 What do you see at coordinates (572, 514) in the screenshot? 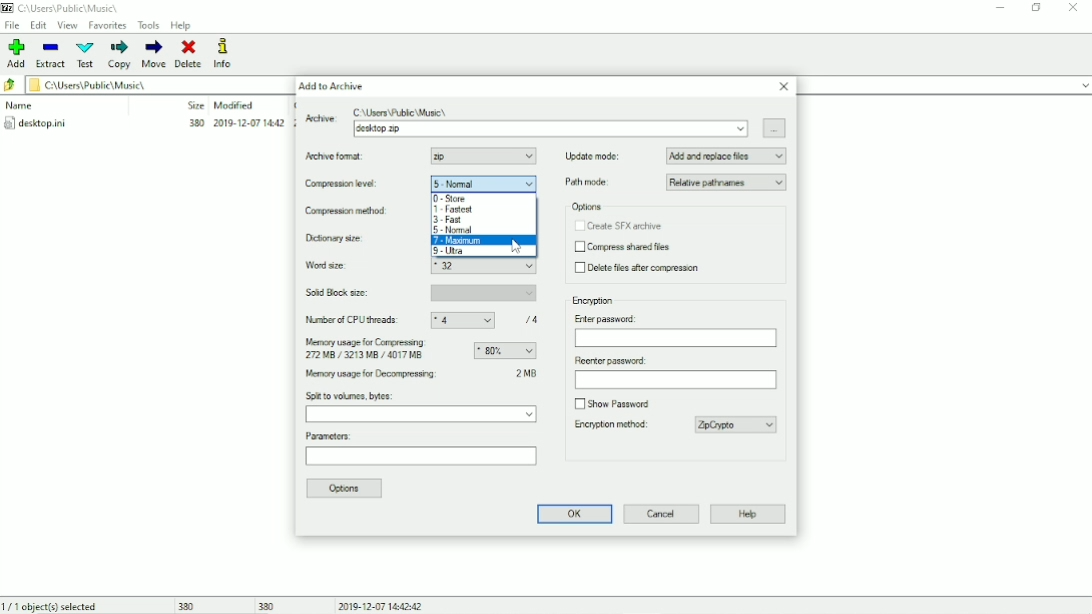
I see `OK` at bounding box center [572, 514].